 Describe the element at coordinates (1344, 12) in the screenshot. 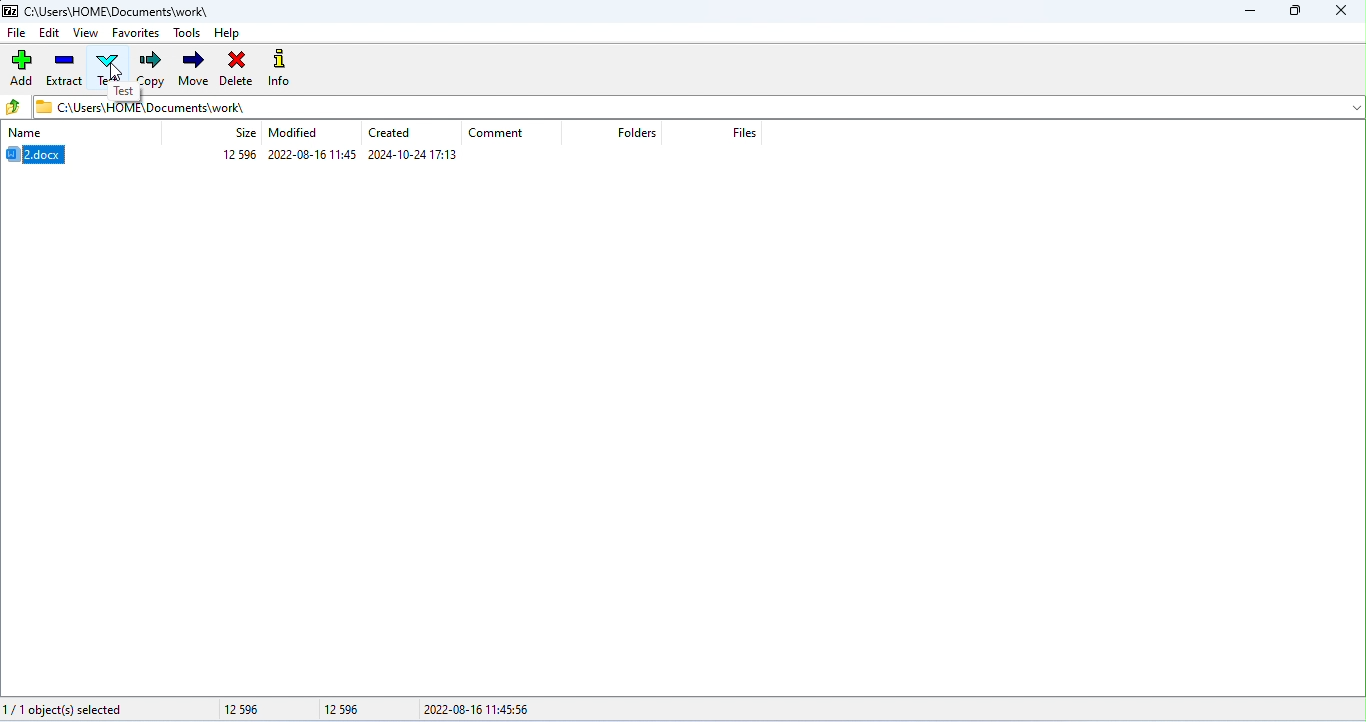

I see `close` at that location.